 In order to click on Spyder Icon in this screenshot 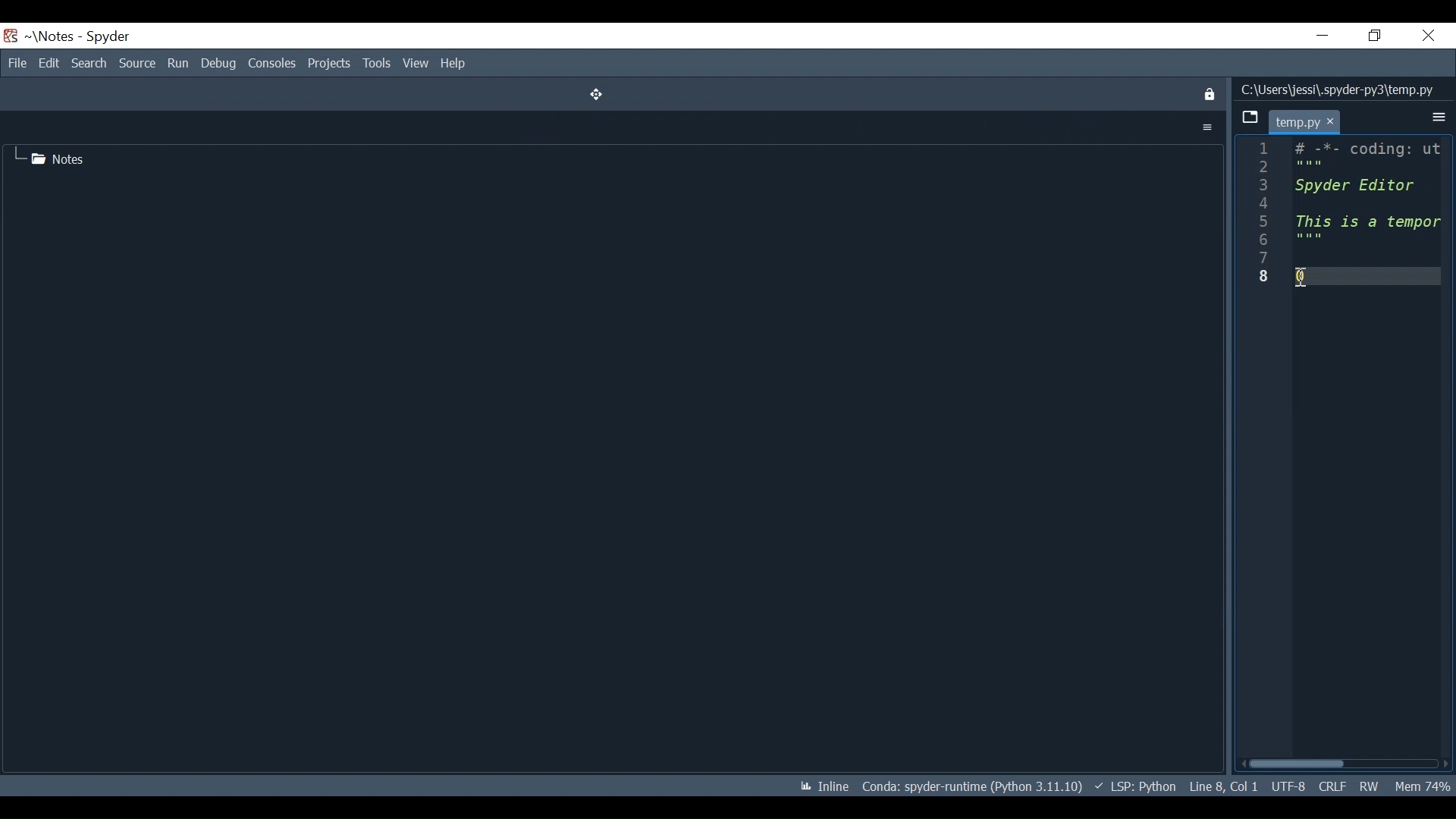, I will do `click(11, 35)`.